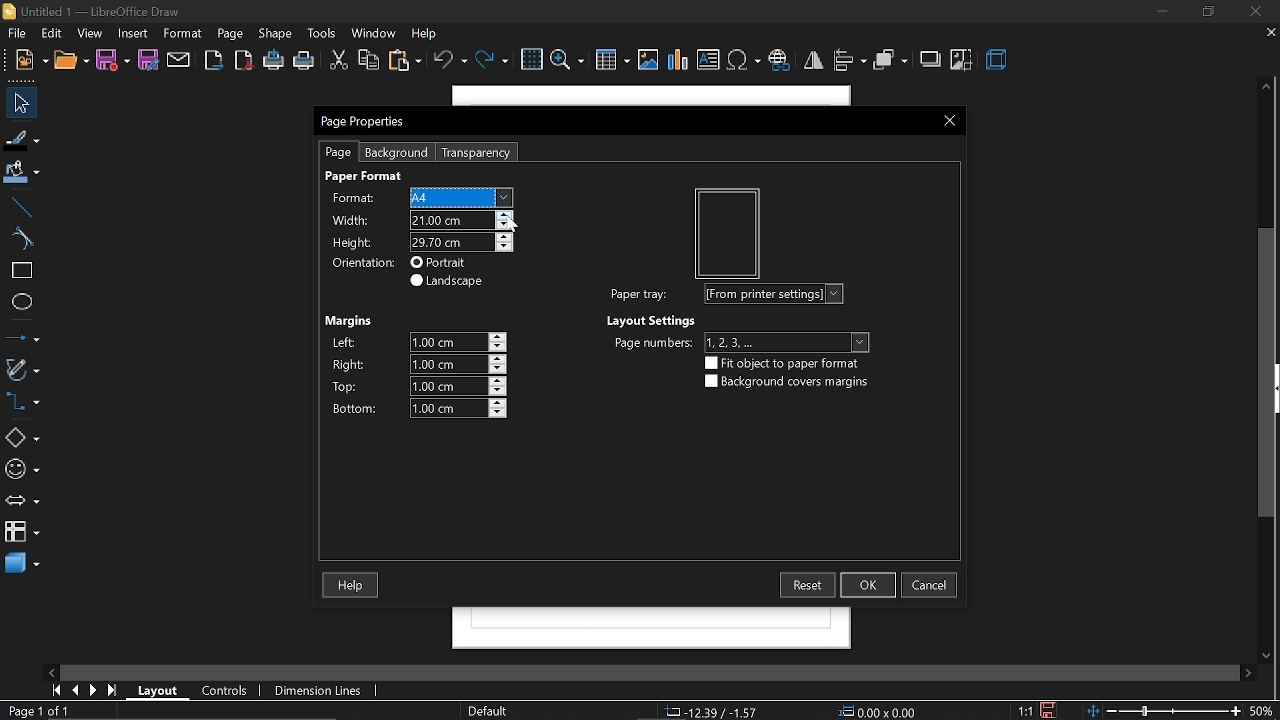 The height and width of the screenshot is (720, 1280). What do you see at coordinates (1025, 711) in the screenshot?
I see `scaling factor` at bounding box center [1025, 711].